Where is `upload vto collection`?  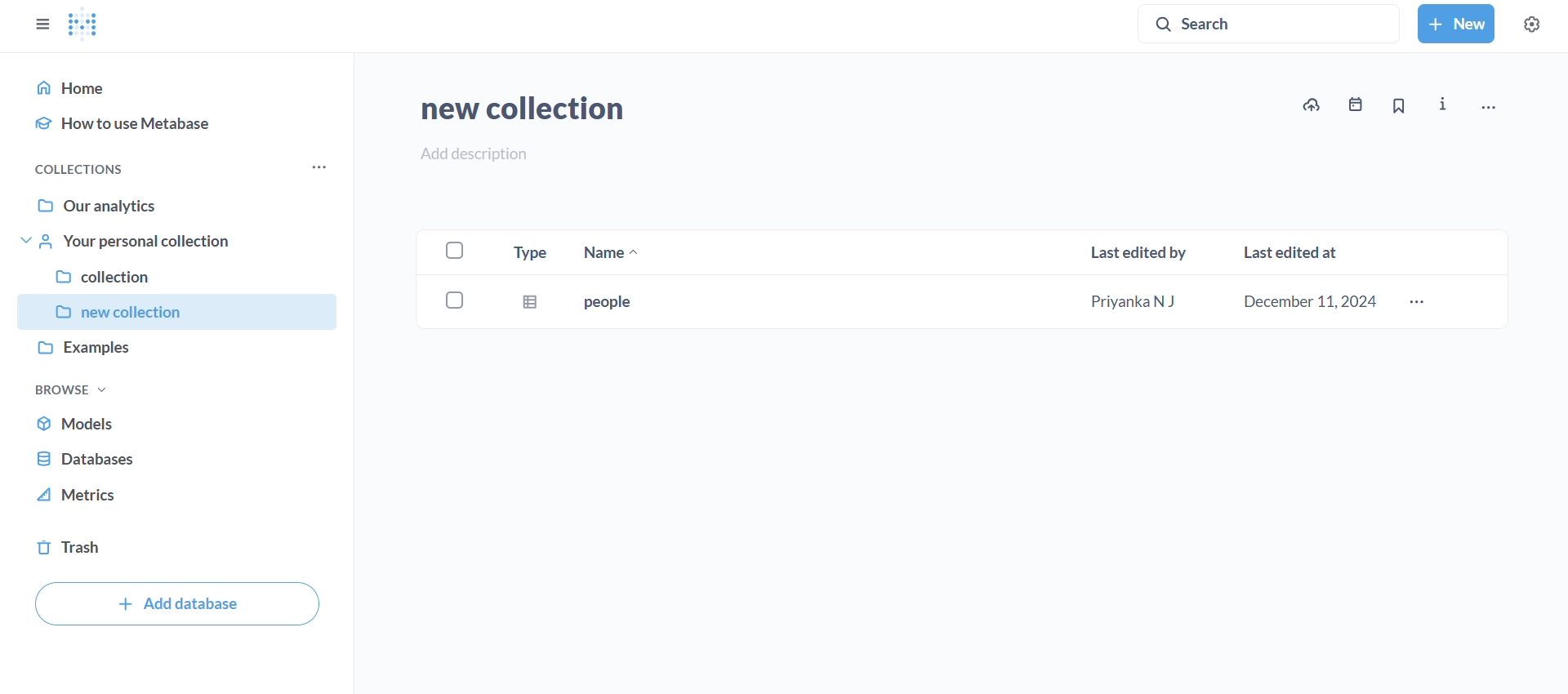 upload vto collection is located at coordinates (1311, 105).